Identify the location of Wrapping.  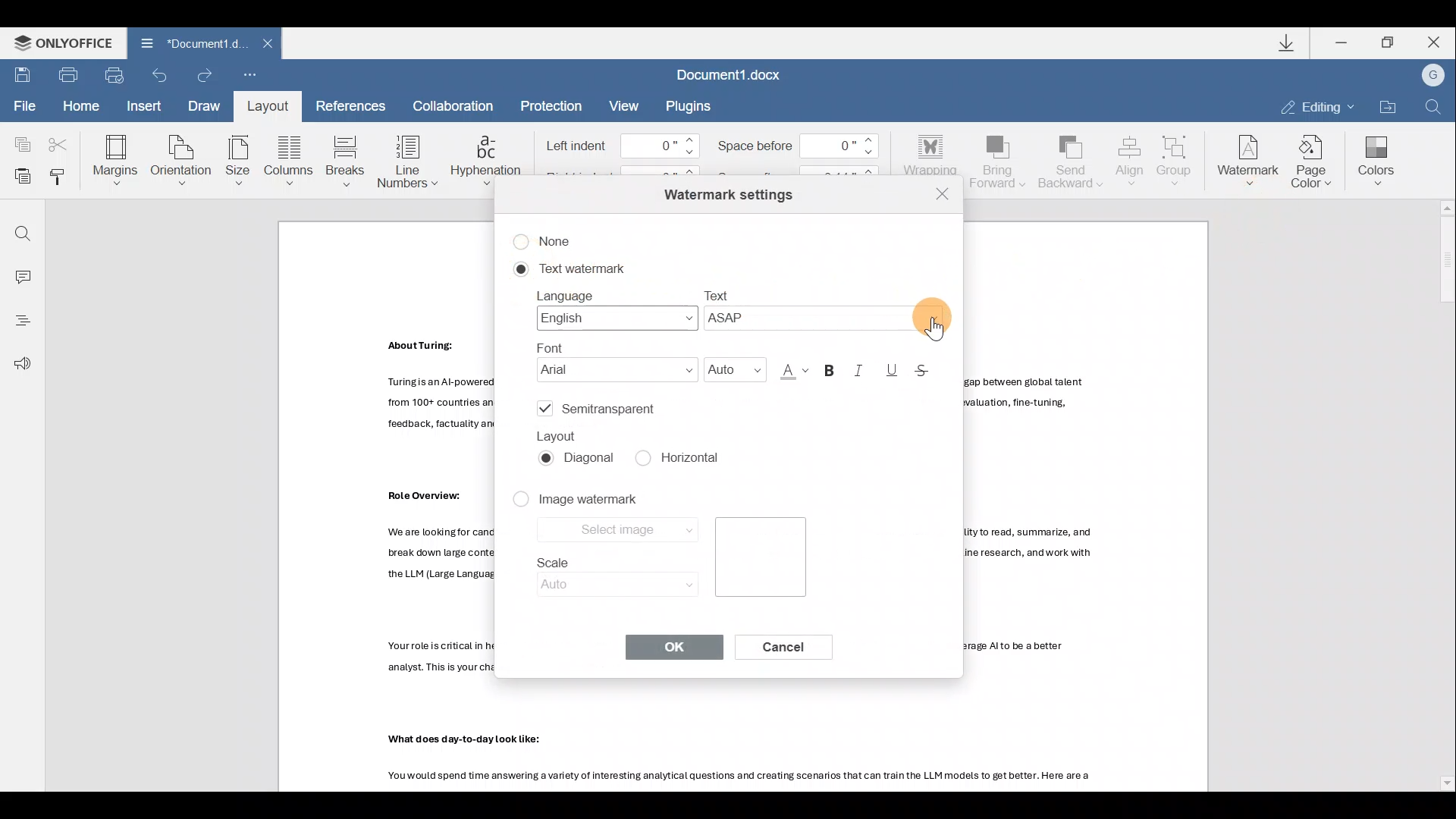
(927, 150).